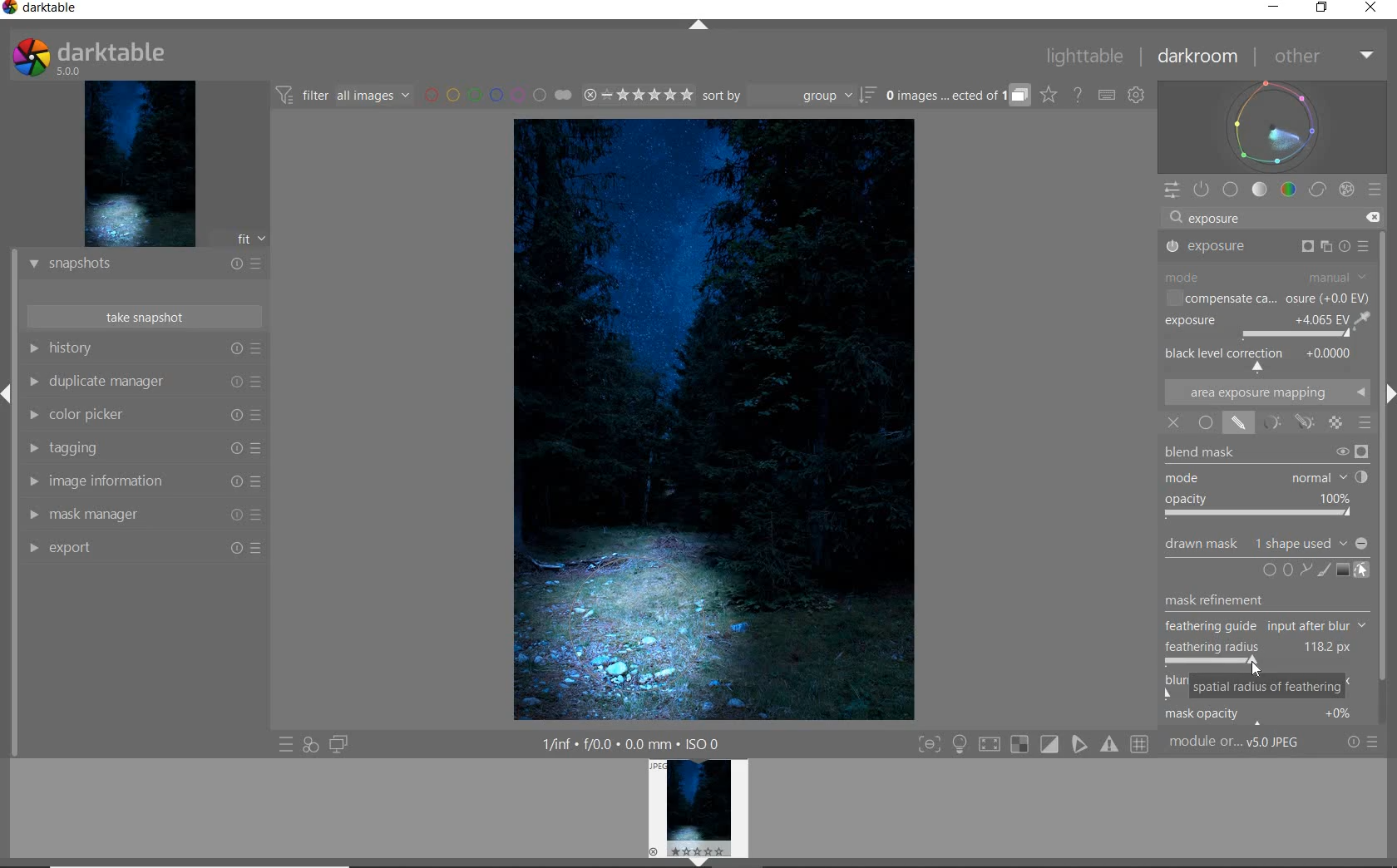 The height and width of the screenshot is (868, 1397). Describe the element at coordinates (1202, 190) in the screenshot. I see `SHOW ONLY ACTIVE MODULES` at that location.